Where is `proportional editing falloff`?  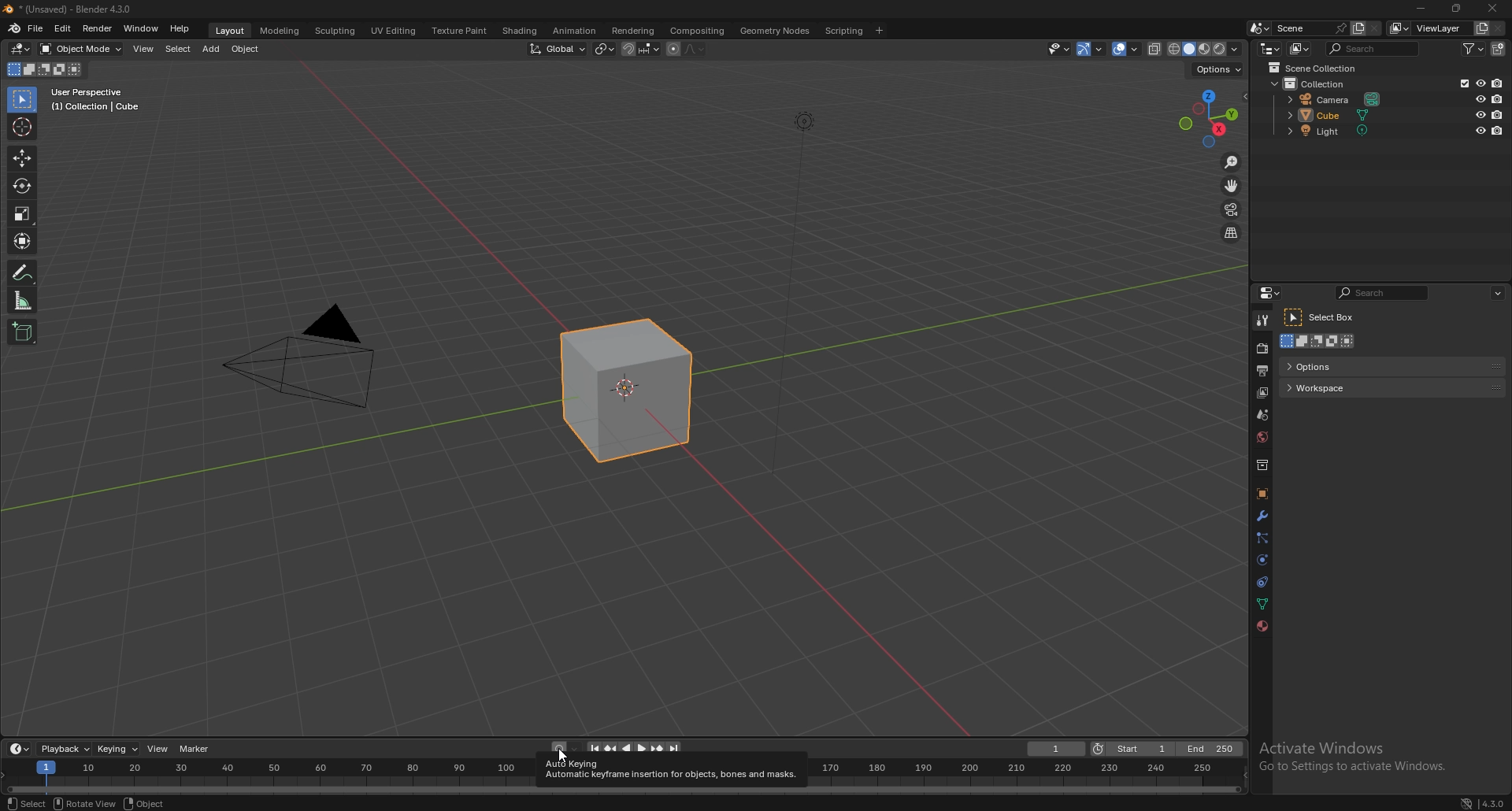 proportional editing falloff is located at coordinates (694, 49).